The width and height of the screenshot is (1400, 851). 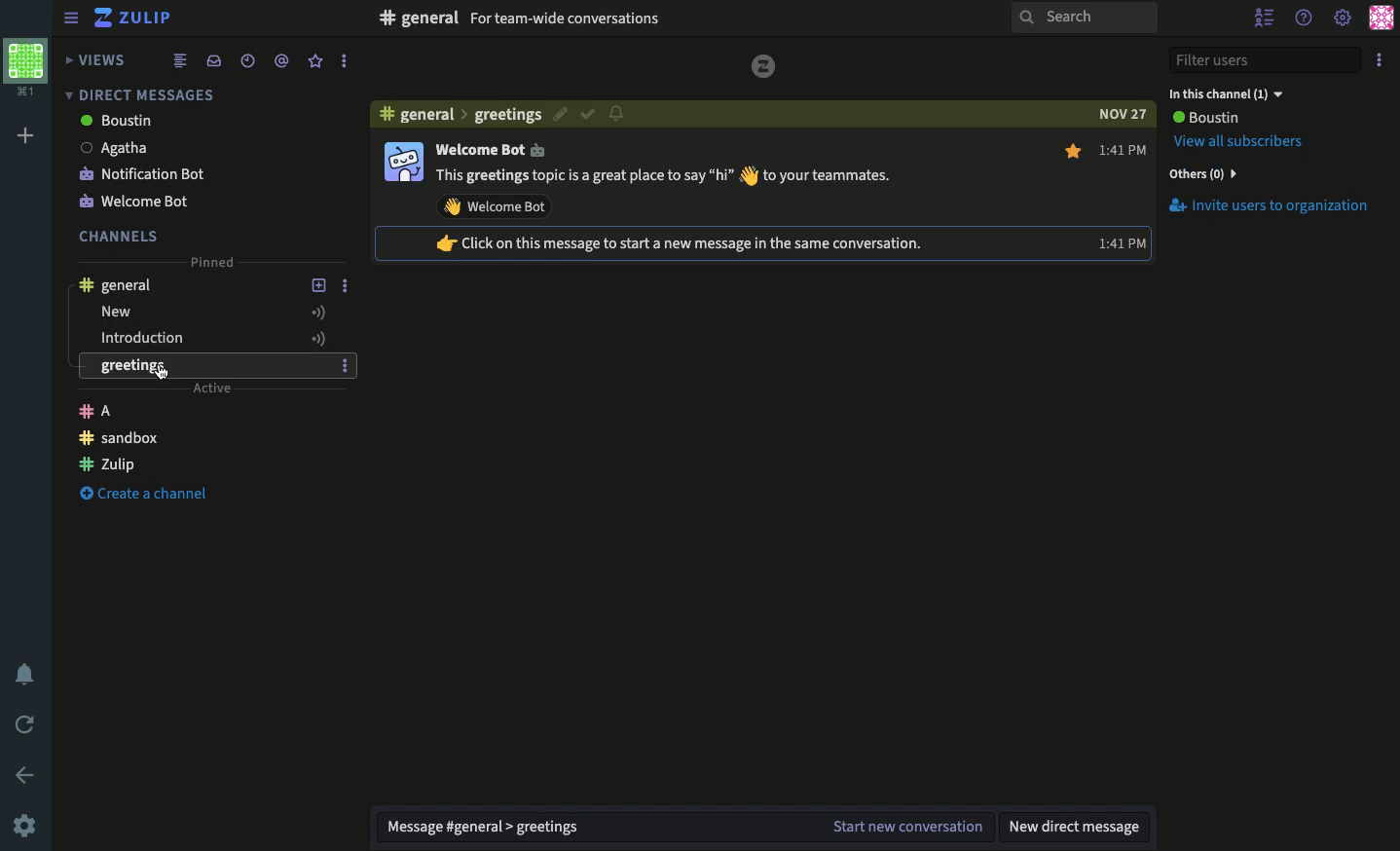 I want to click on Profile, so click(x=1381, y=18).